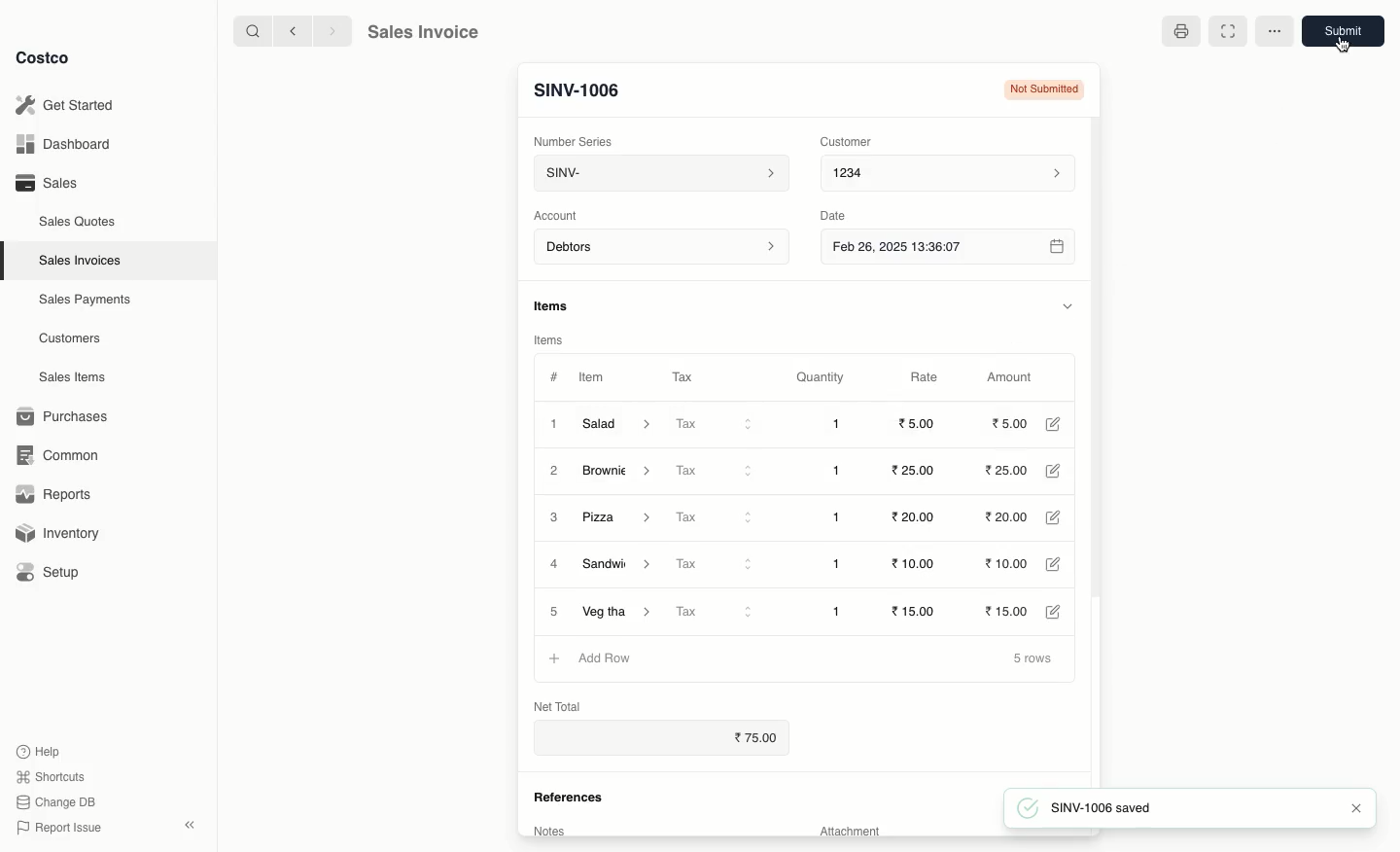 This screenshot has height=852, width=1400. What do you see at coordinates (1223, 33) in the screenshot?
I see `Full width toggle` at bounding box center [1223, 33].